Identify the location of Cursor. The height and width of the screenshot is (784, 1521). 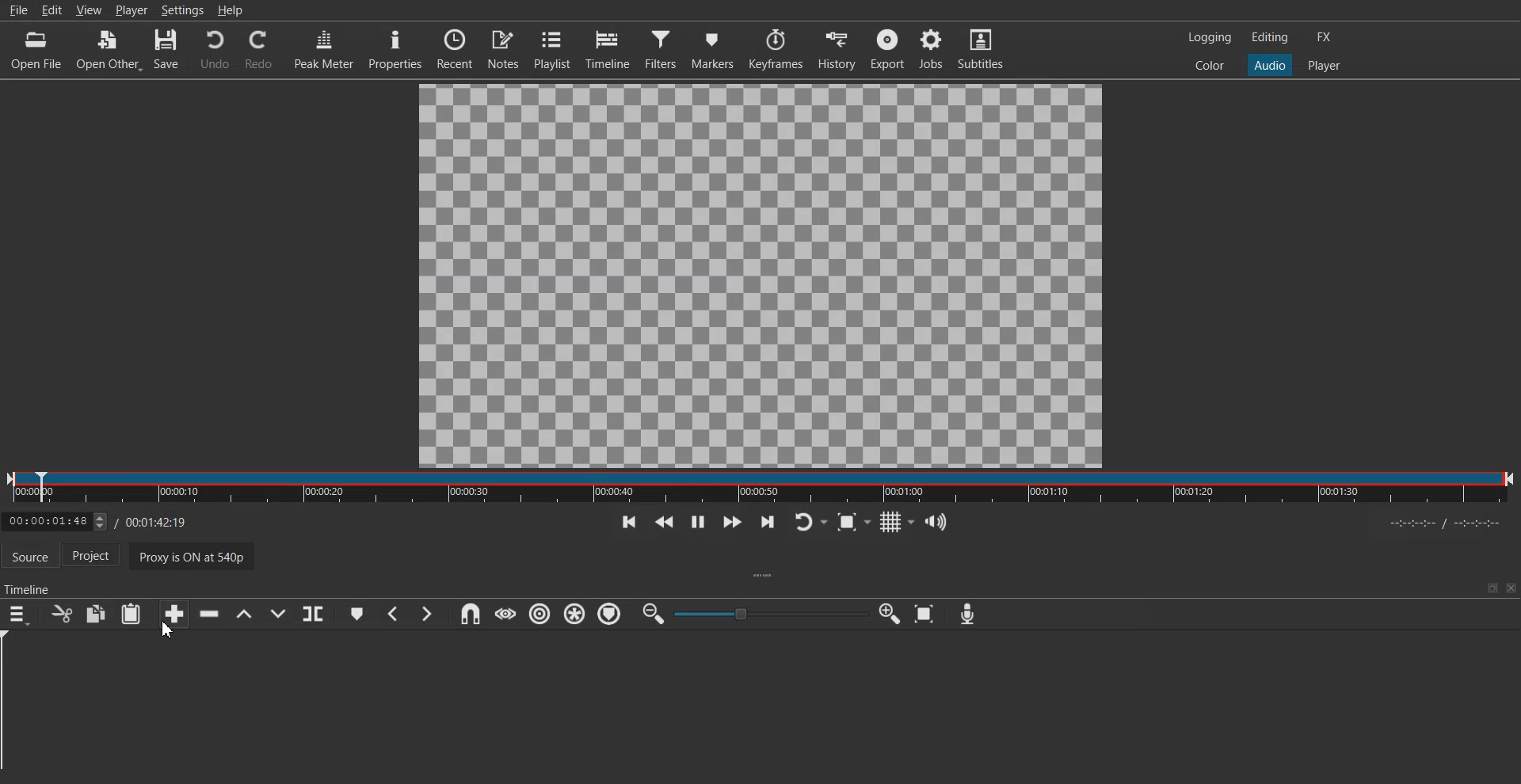
(167, 630).